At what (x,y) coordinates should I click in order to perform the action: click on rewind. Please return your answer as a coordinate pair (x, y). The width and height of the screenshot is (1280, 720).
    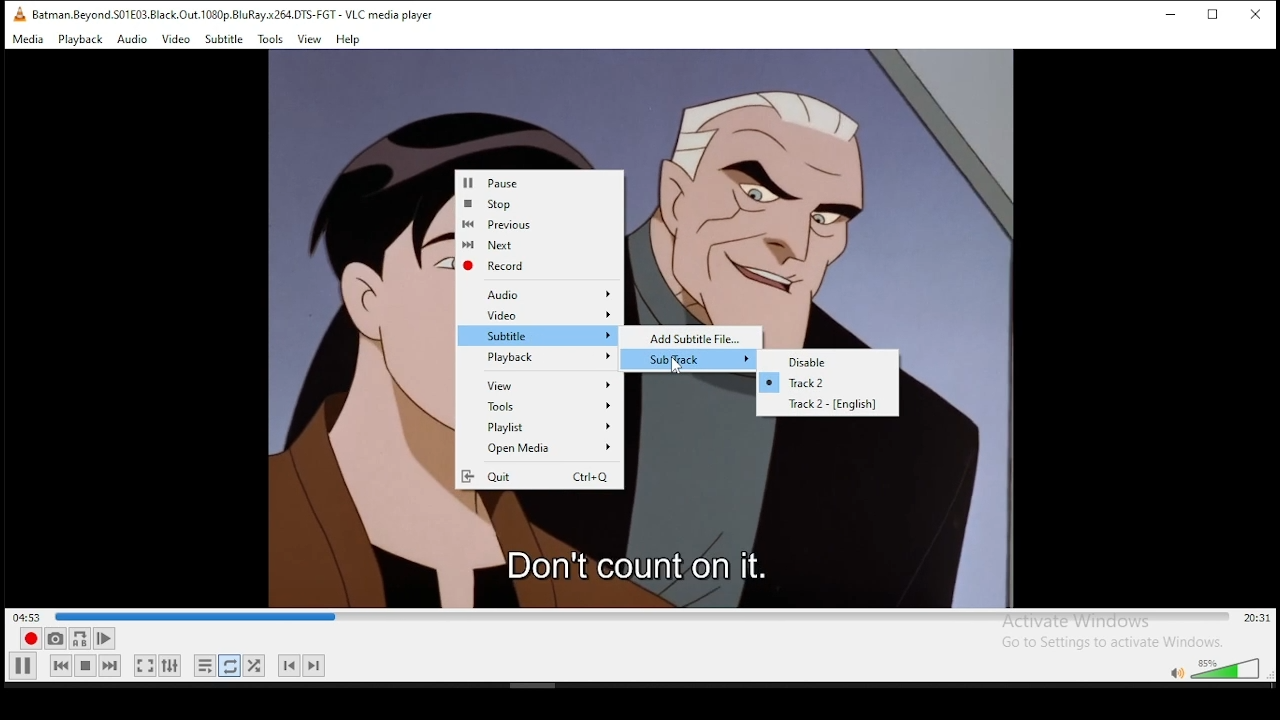
    Looking at the image, I should click on (61, 667).